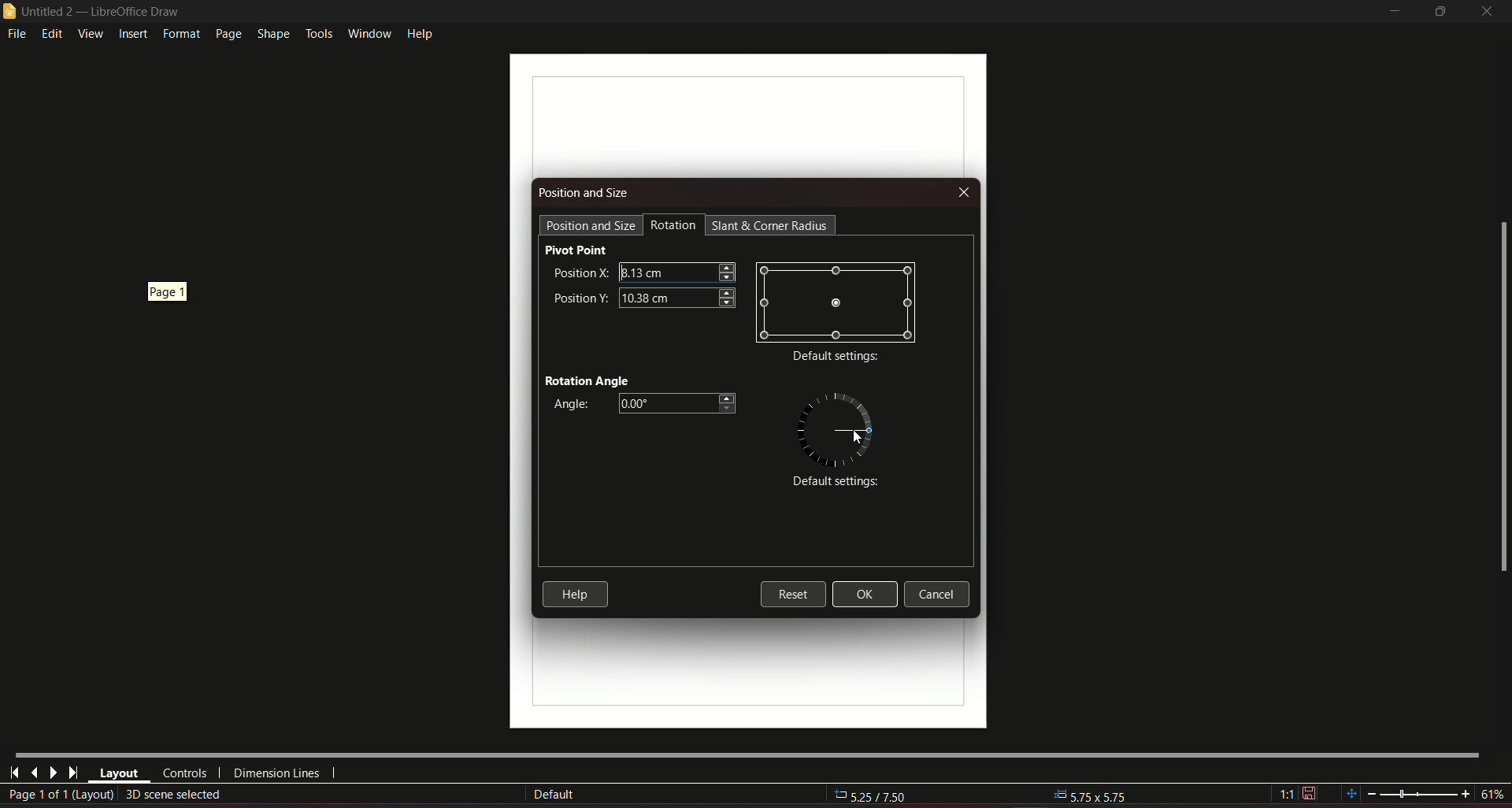 The image size is (1512, 808). I want to click on Help, so click(575, 594).